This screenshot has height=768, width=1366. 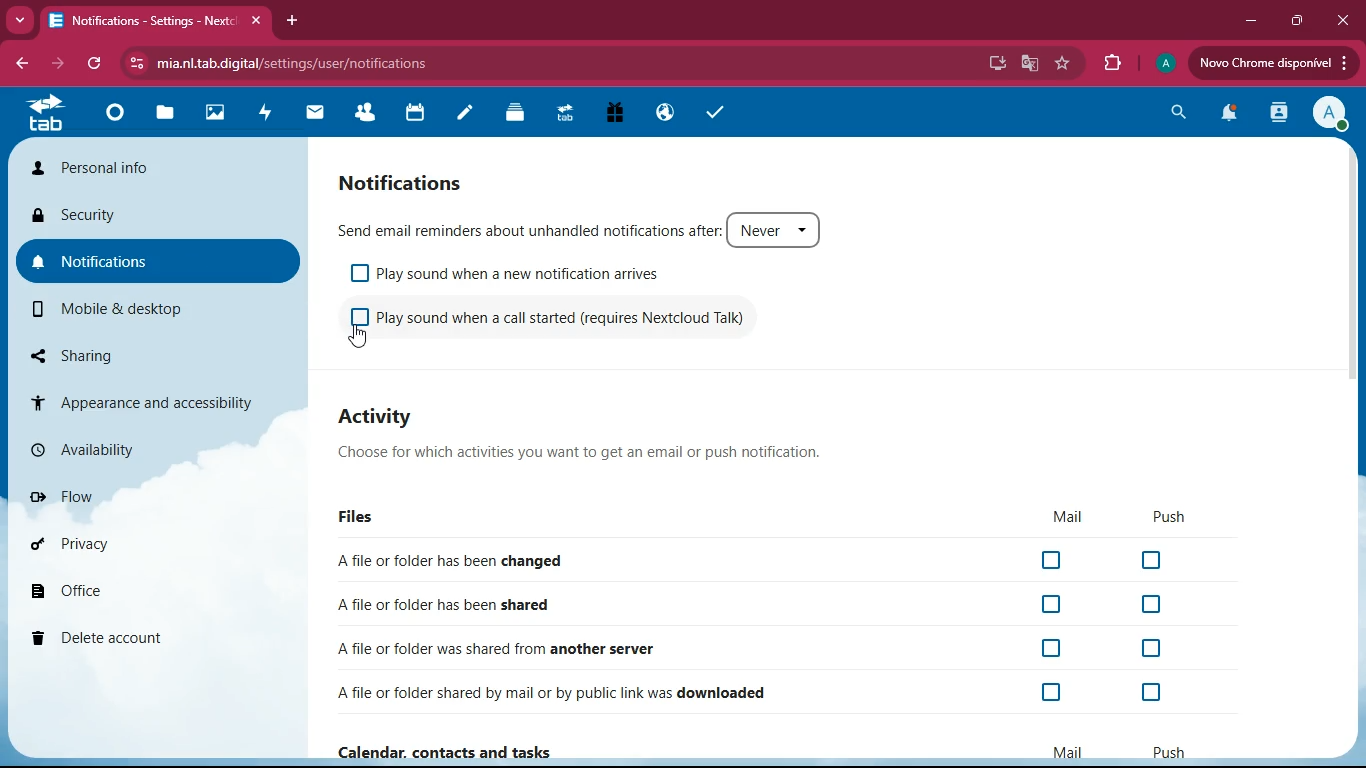 I want to click on Calendar , so click(x=449, y=750).